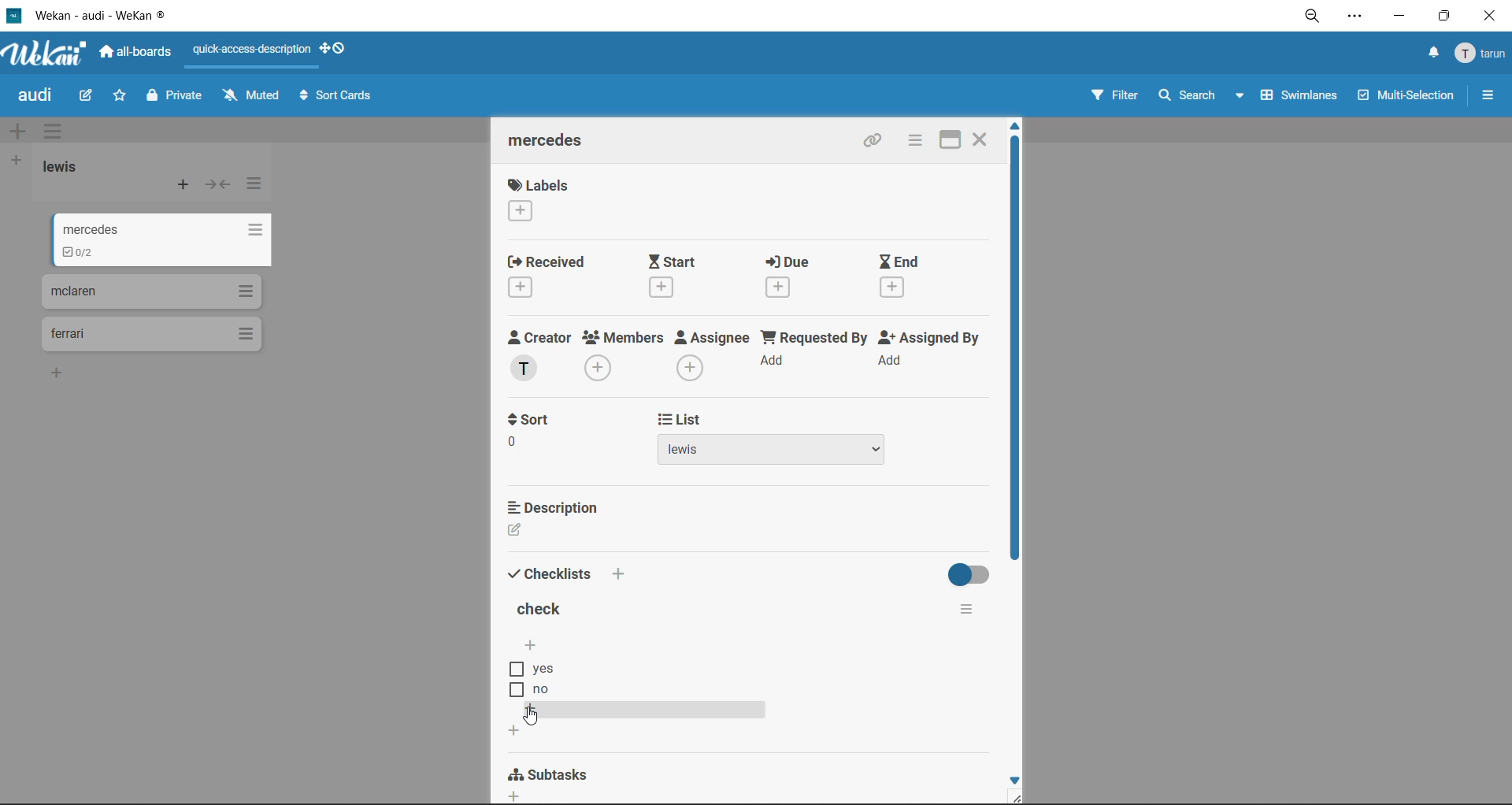 This screenshot has height=805, width=1512. What do you see at coordinates (532, 718) in the screenshot?
I see `cursor` at bounding box center [532, 718].